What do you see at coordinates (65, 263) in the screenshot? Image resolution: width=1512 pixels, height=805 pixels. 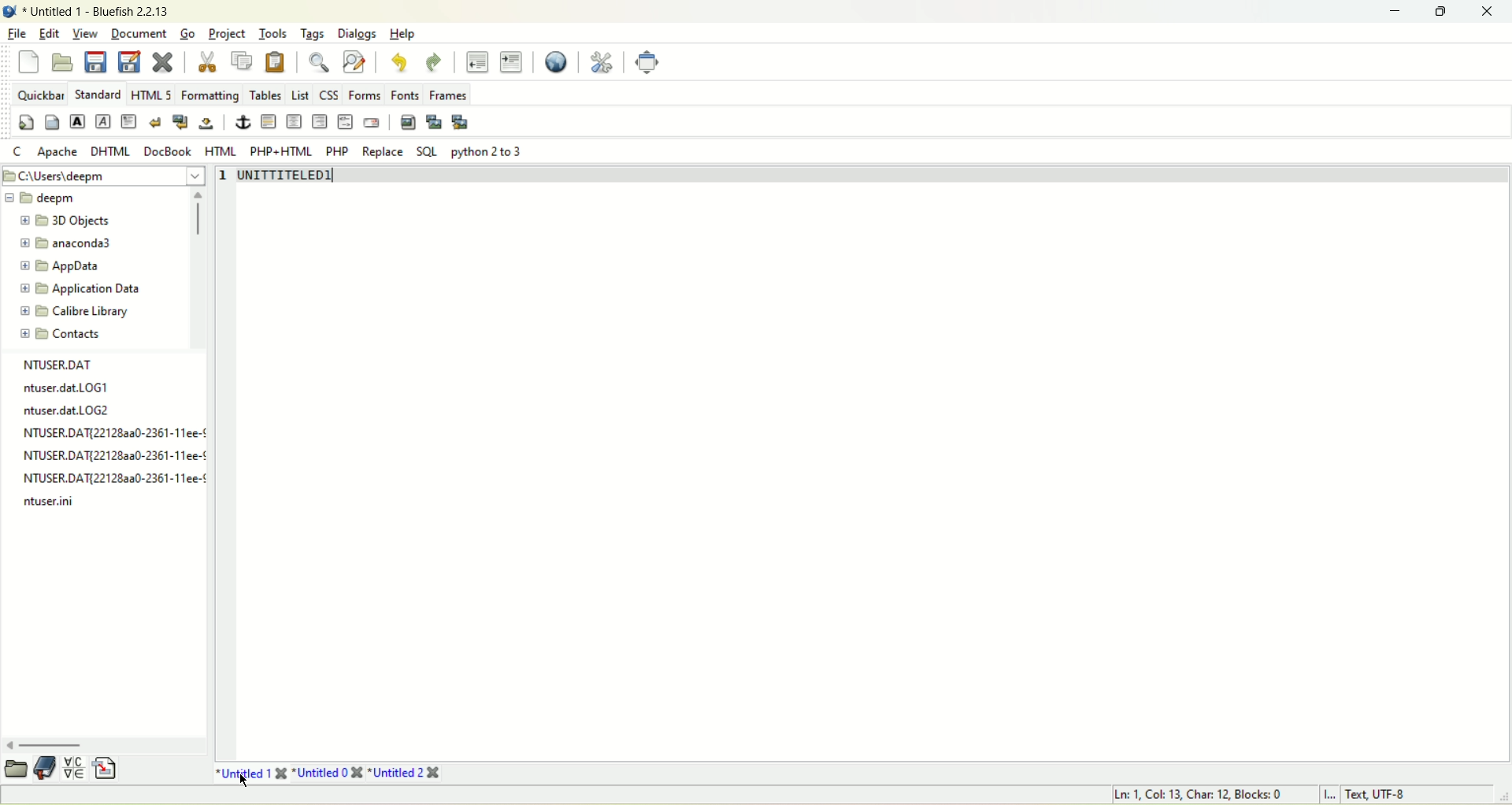 I see `appdata` at bounding box center [65, 263].